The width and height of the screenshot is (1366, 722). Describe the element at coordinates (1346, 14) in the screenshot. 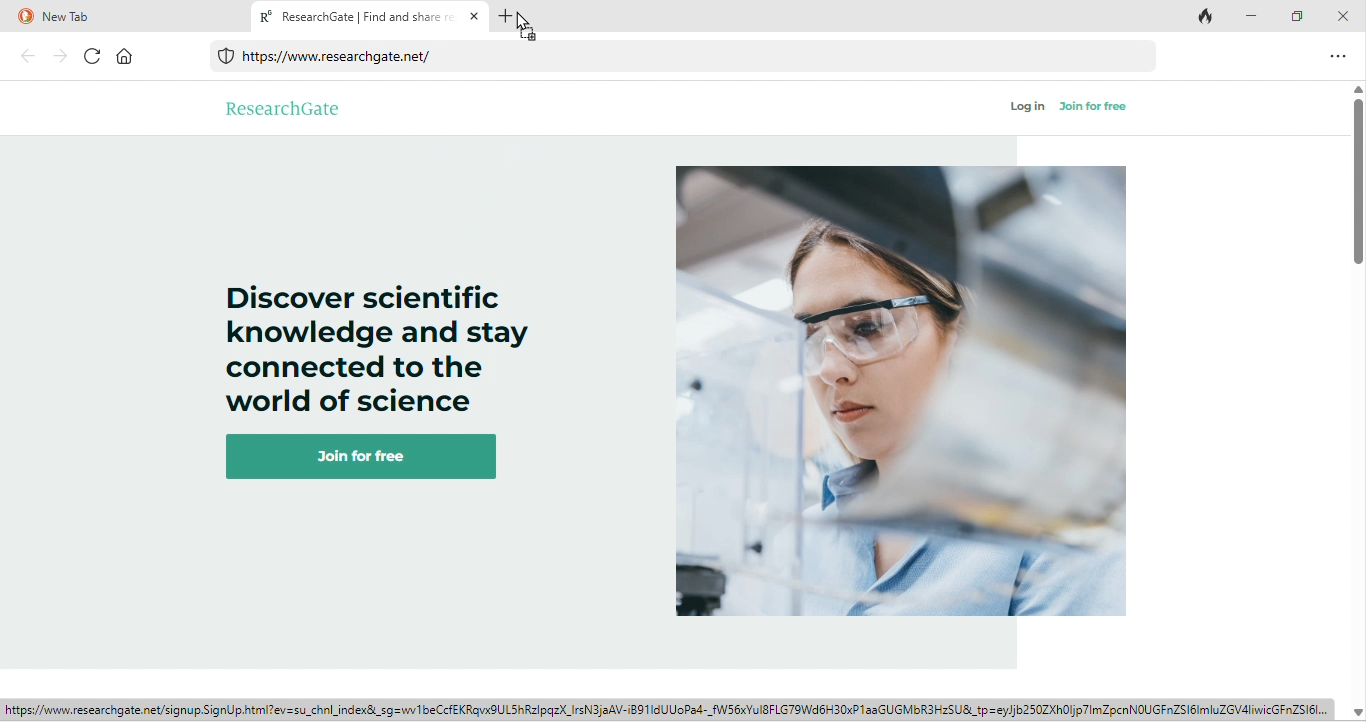

I see `close` at that location.